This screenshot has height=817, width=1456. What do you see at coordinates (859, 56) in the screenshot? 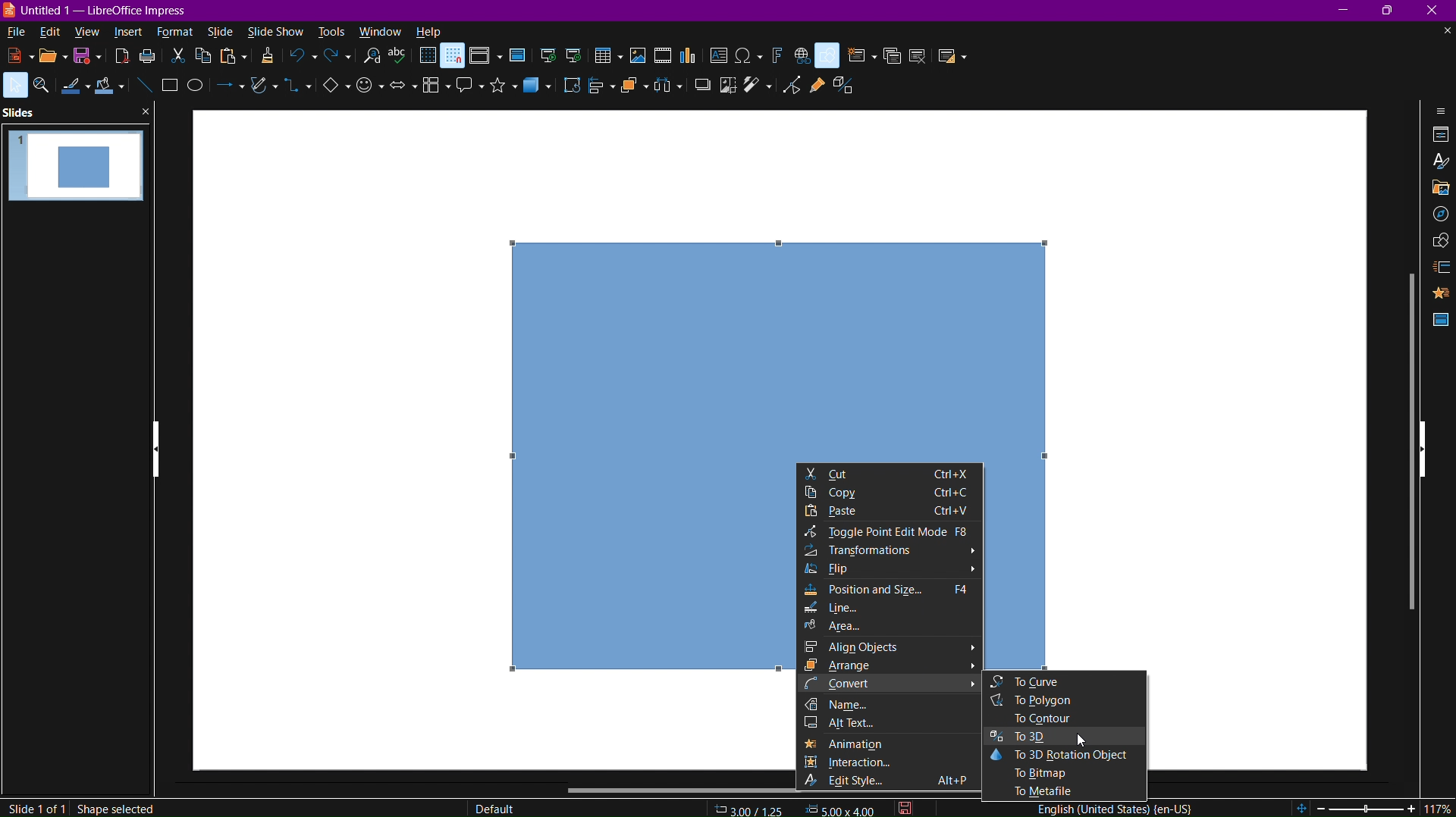
I see `New Slide` at bounding box center [859, 56].